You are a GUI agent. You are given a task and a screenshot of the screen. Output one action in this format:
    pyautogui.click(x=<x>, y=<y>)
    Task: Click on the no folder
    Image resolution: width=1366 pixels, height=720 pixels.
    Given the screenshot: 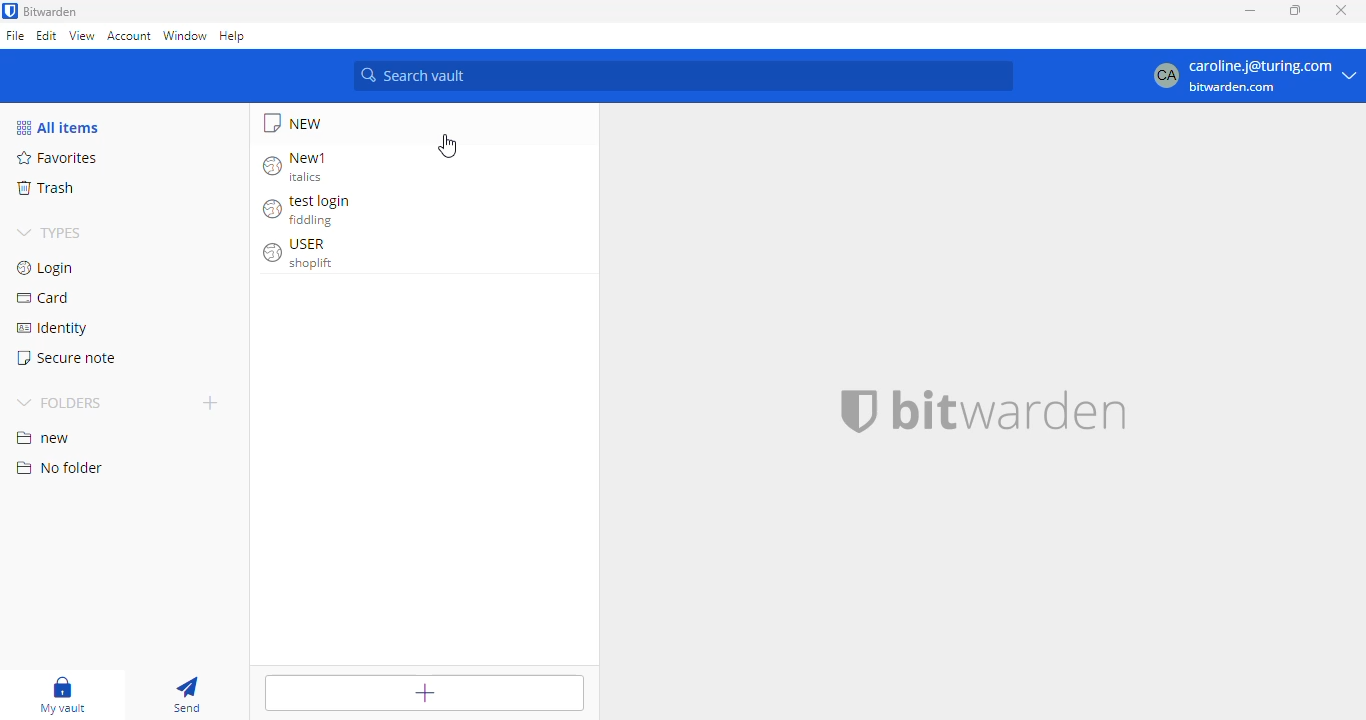 What is the action you would take?
    pyautogui.click(x=58, y=468)
    